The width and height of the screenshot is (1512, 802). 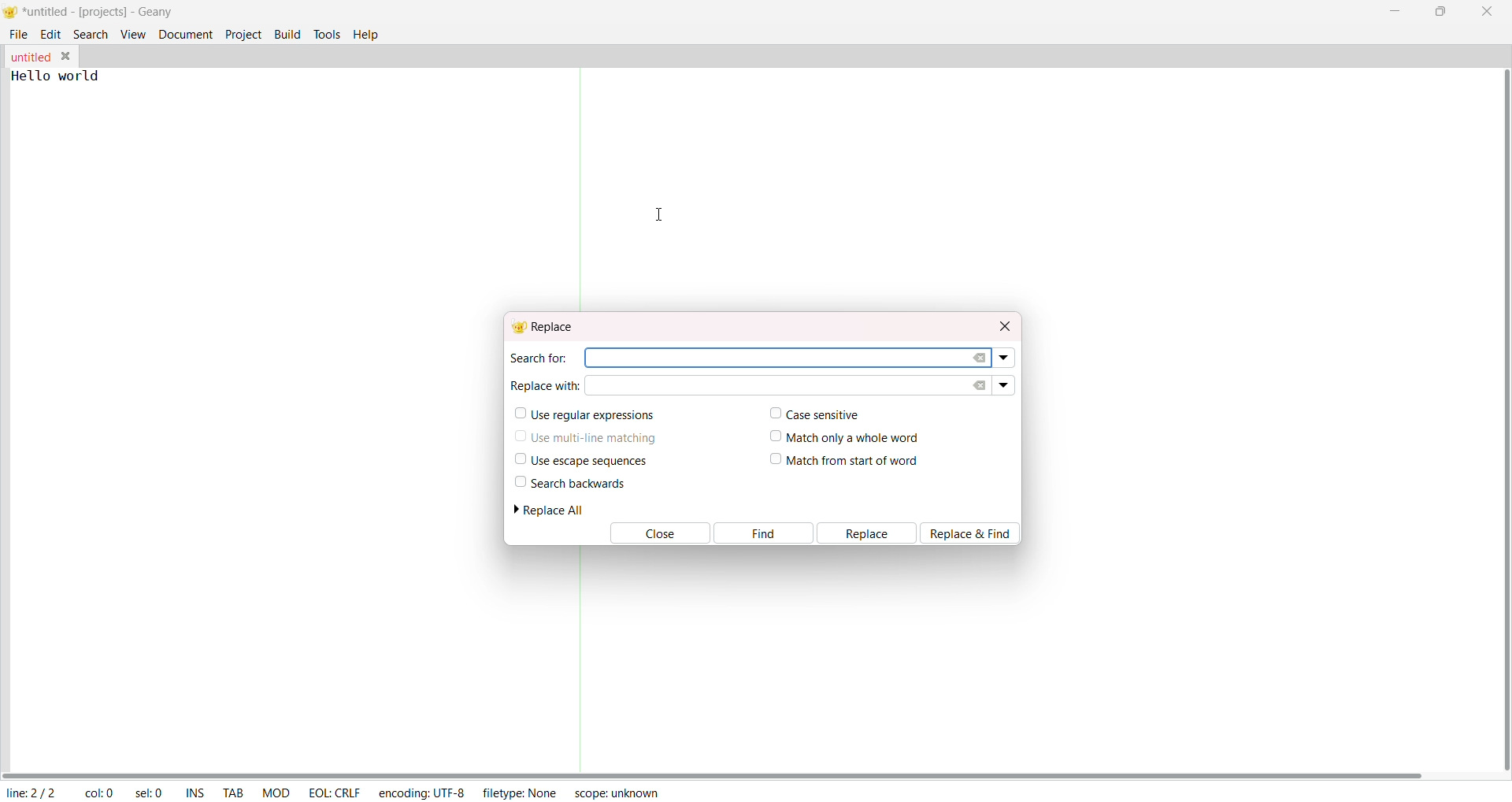 I want to click on Hello world, so click(x=57, y=76).